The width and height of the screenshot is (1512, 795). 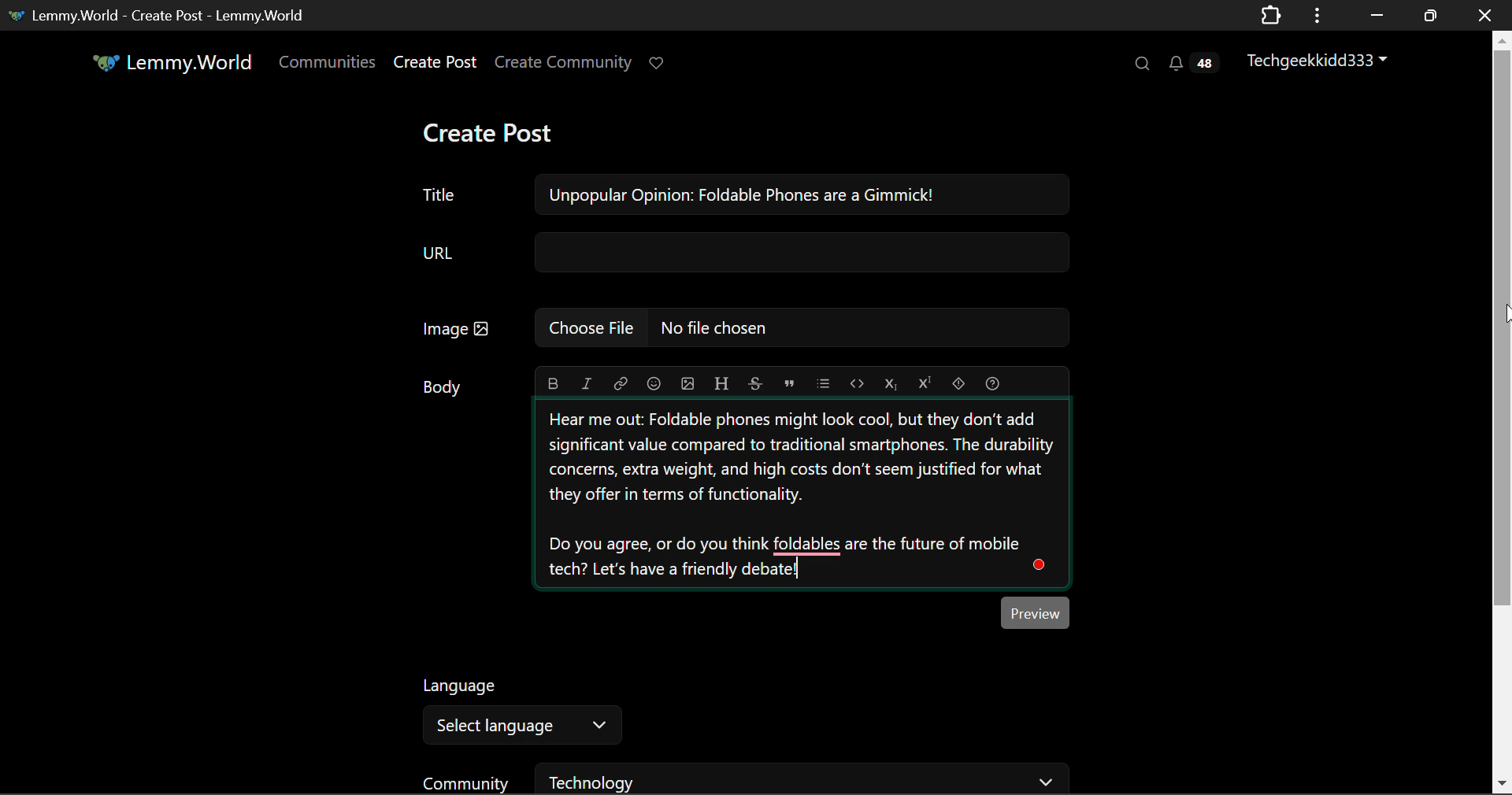 I want to click on Create Post, so click(x=434, y=65).